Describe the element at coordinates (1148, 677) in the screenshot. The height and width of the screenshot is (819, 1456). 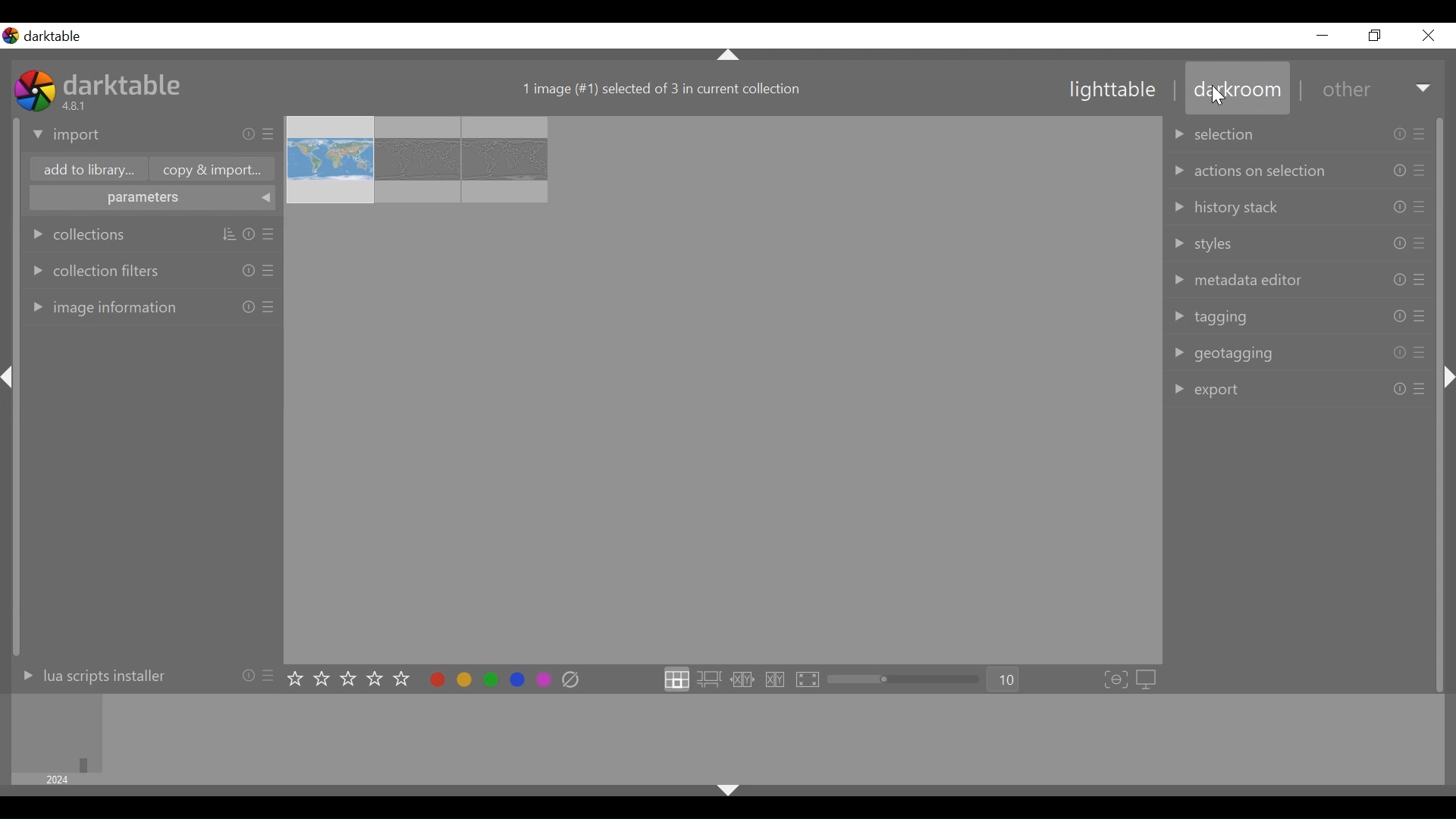
I see `set display profile` at that location.